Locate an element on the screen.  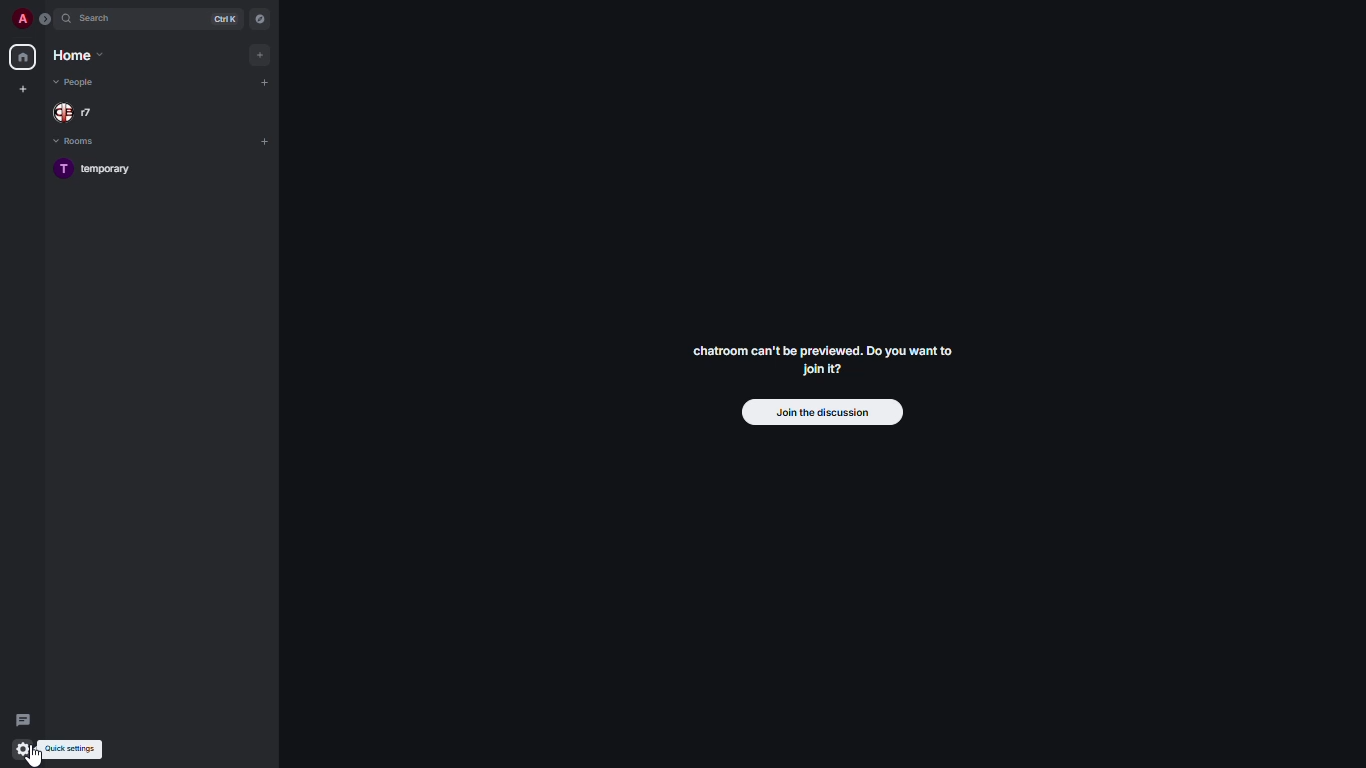
cursor is located at coordinates (38, 755).